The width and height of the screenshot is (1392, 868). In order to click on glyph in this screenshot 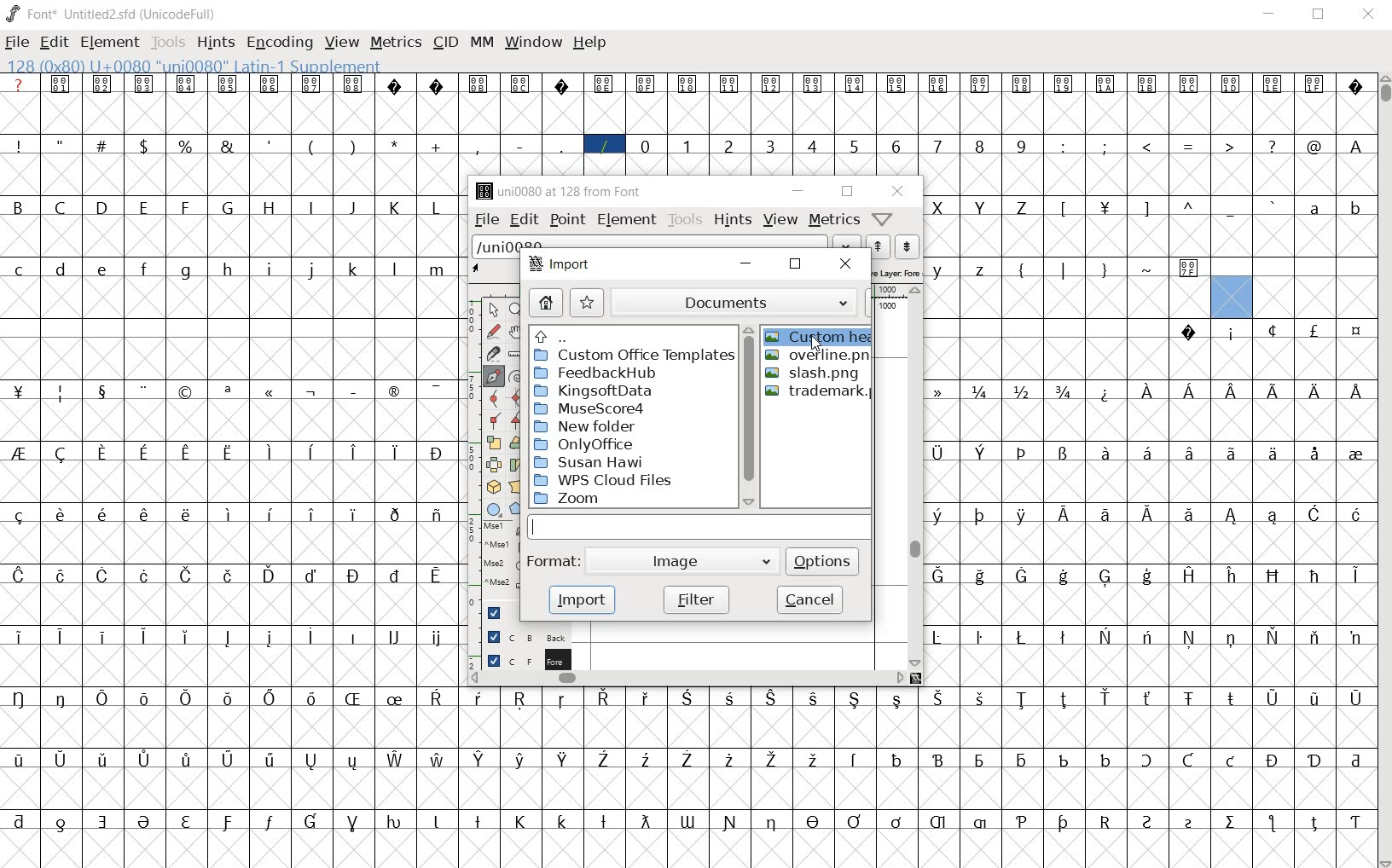, I will do `click(814, 821)`.